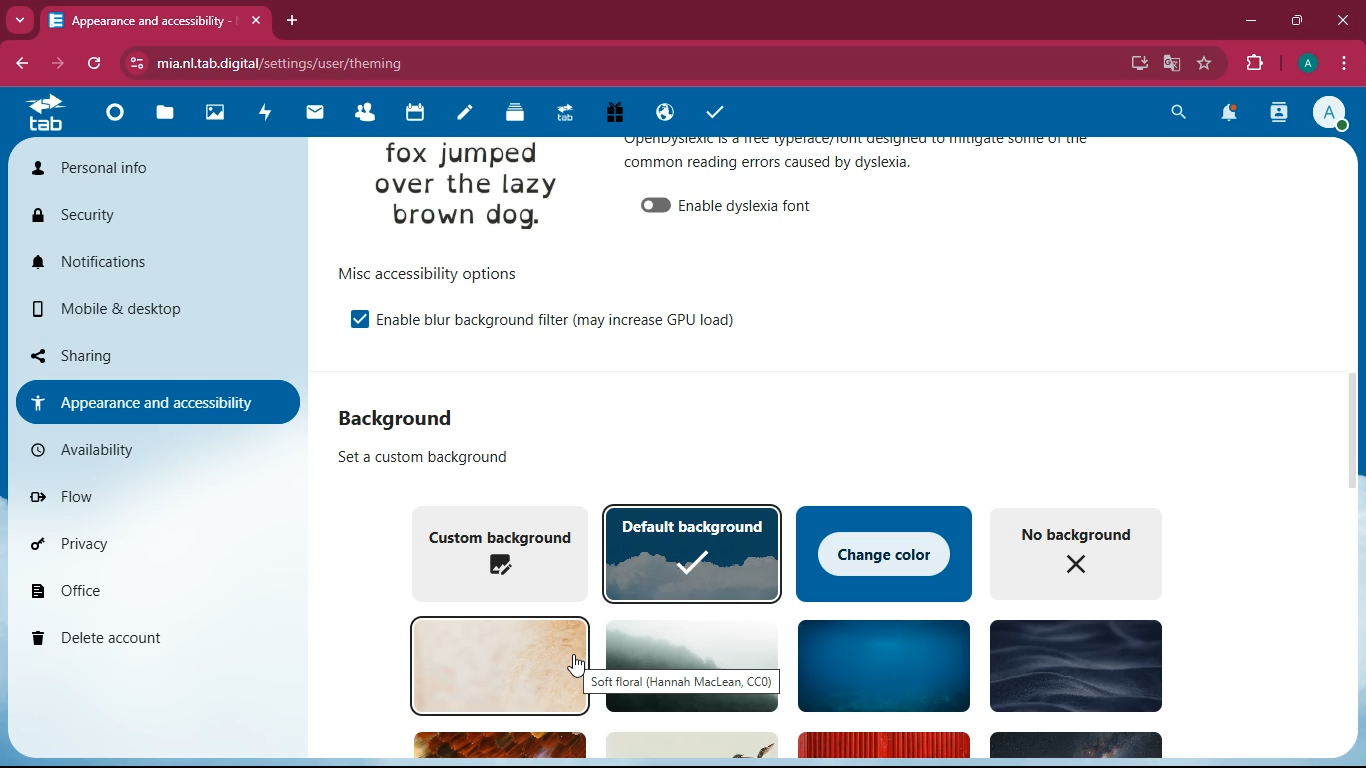 The width and height of the screenshot is (1366, 768). What do you see at coordinates (1250, 23) in the screenshot?
I see `minimize` at bounding box center [1250, 23].